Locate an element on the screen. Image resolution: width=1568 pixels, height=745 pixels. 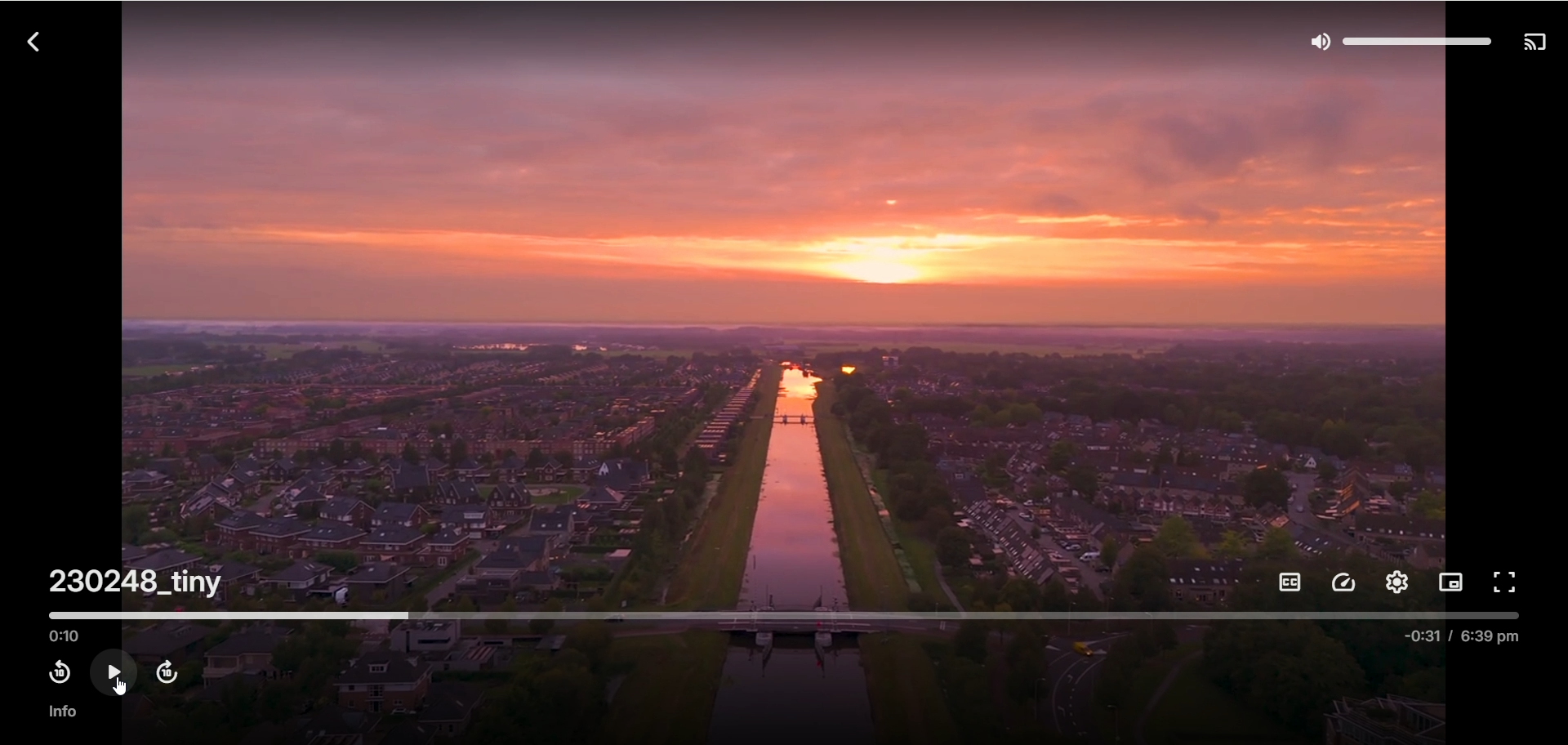
played time 0:10 is located at coordinates (65, 637).